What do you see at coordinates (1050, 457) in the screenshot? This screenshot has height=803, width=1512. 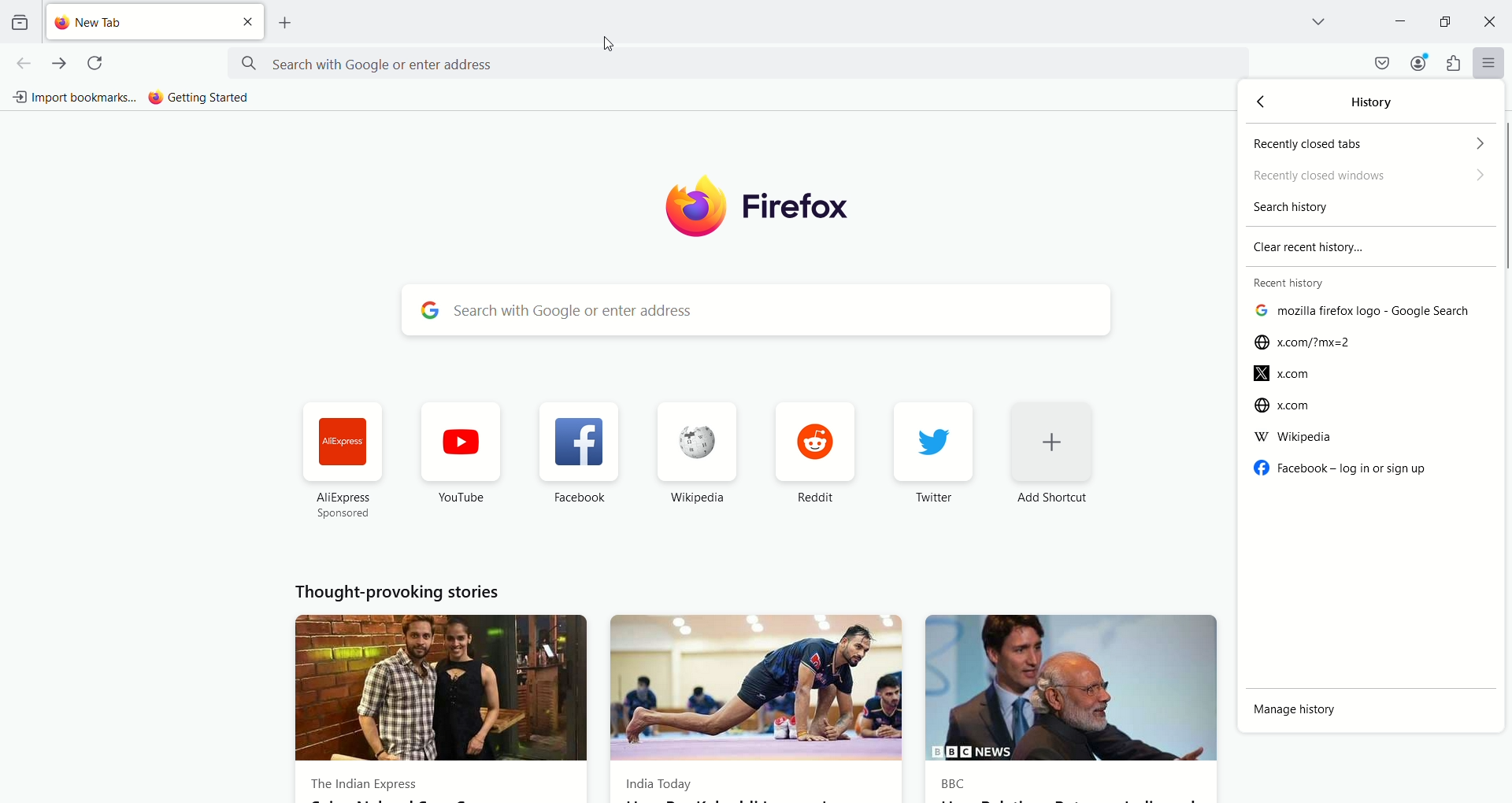 I see `add shortcut` at bounding box center [1050, 457].